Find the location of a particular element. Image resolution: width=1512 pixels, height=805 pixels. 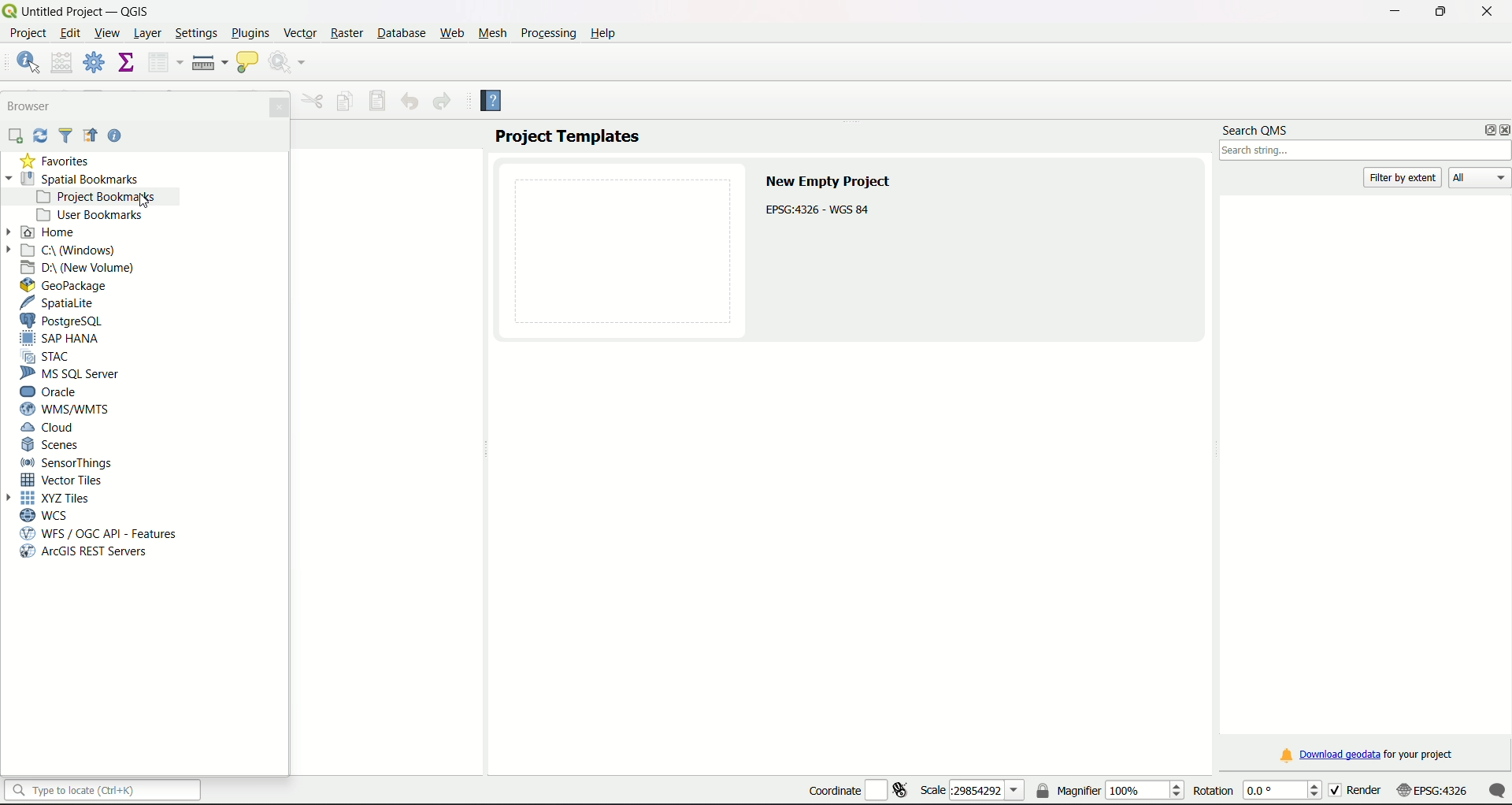

Favorties is located at coordinates (55, 161).